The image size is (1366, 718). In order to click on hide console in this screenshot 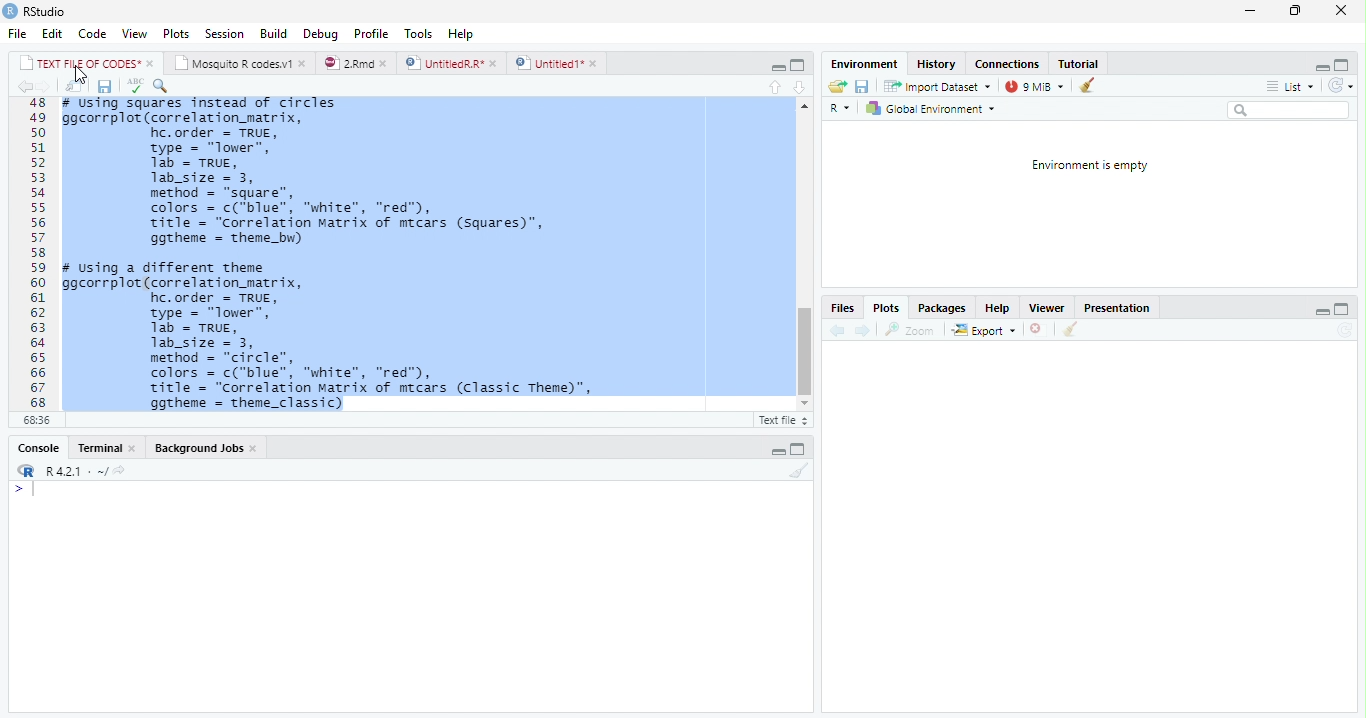, I will do `click(800, 447)`.